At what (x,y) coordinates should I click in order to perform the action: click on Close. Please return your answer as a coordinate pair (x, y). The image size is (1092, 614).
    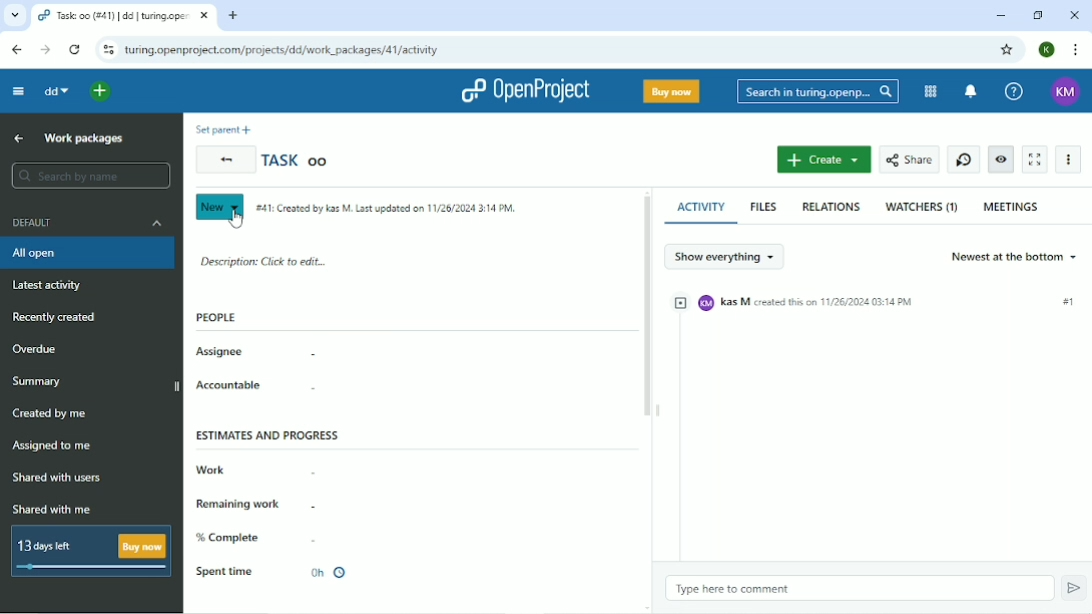
    Looking at the image, I should click on (1072, 15).